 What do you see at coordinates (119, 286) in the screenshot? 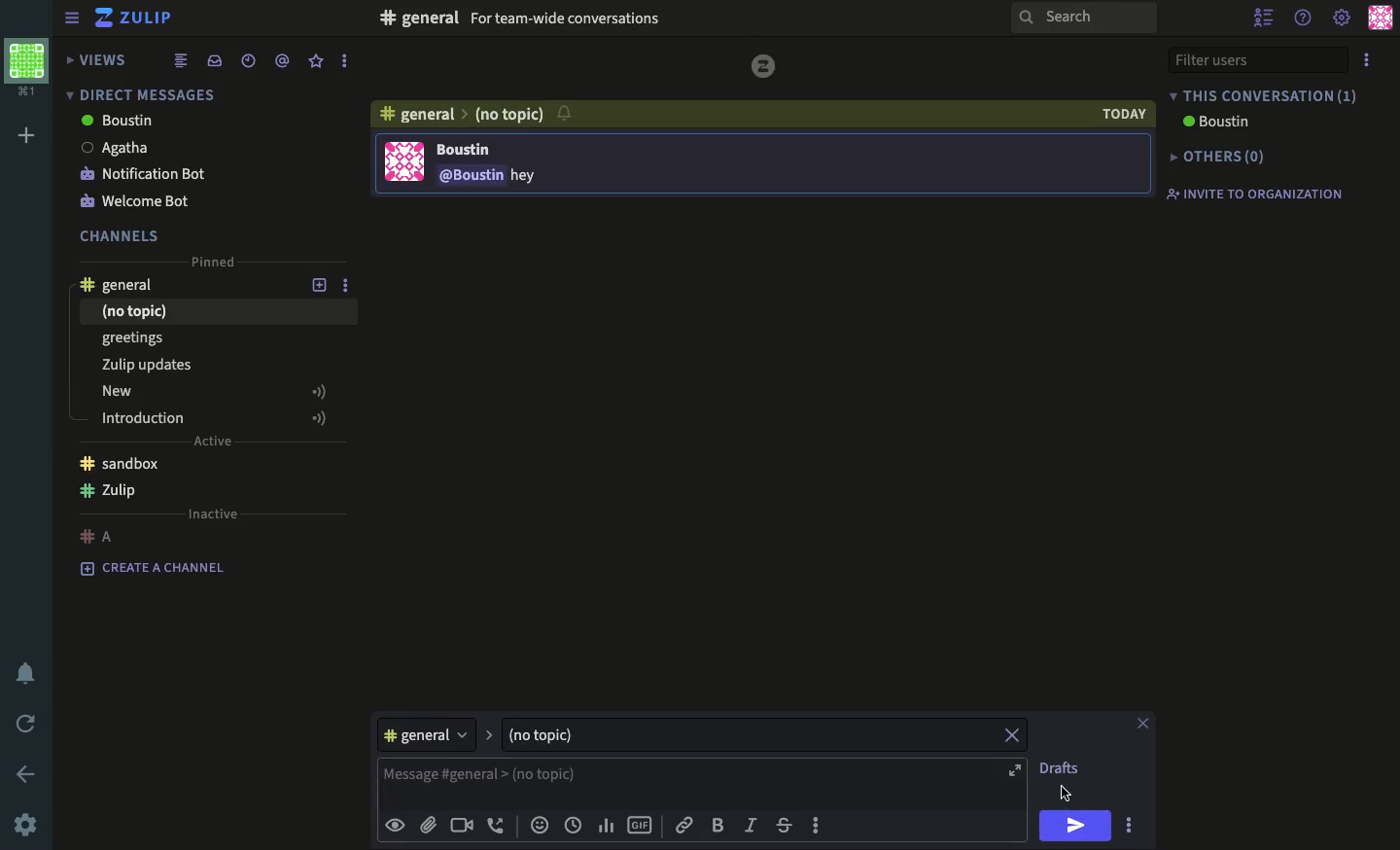
I see `general` at bounding box center [119, 286].